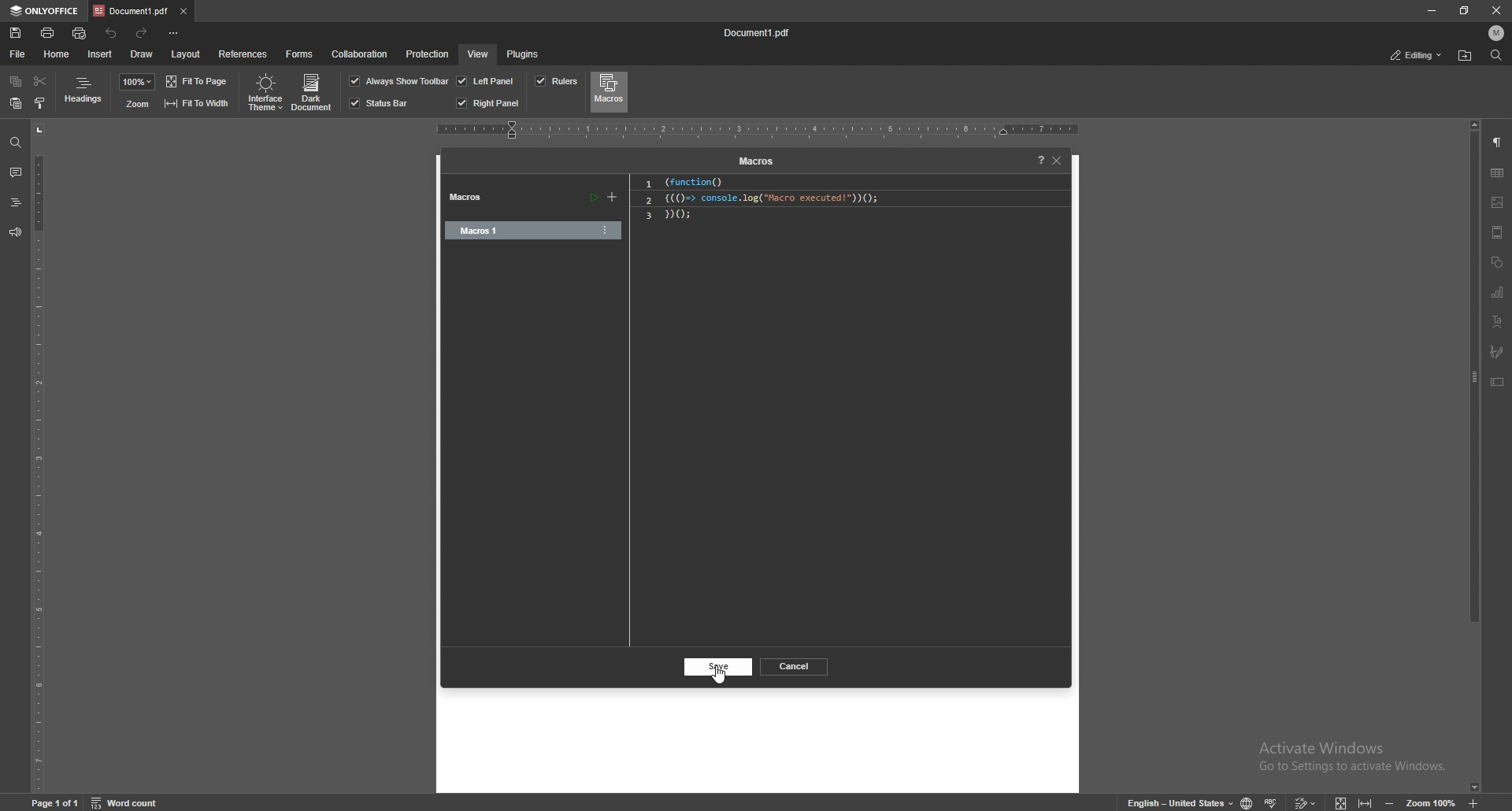 This screenshot has height=811, width=1512. Describe the element at coordinates (15, 232) in the screenshot. I see `feedback` at that location.